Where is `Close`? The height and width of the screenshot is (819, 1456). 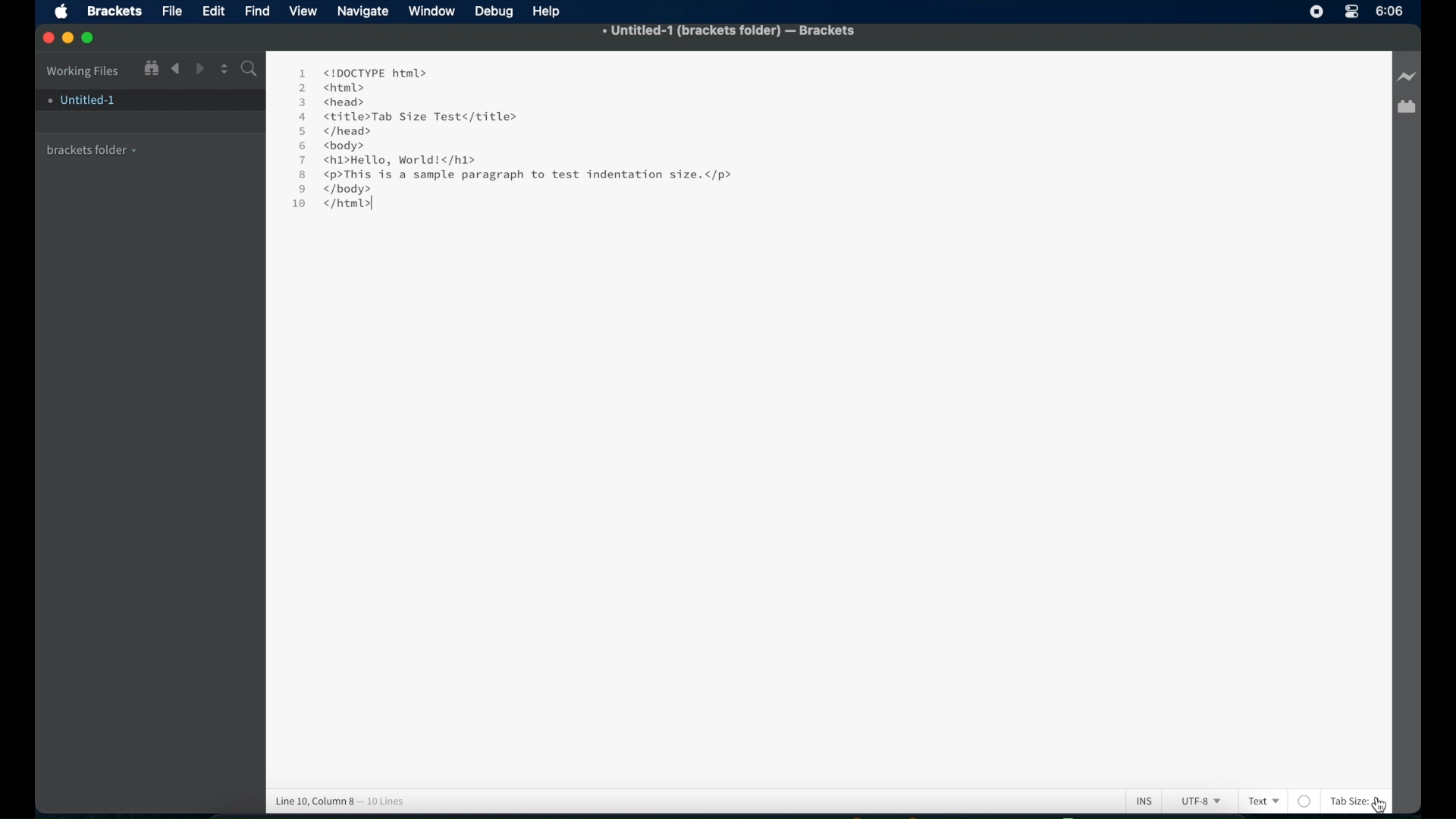 Close is located at coordinates (49, 39).